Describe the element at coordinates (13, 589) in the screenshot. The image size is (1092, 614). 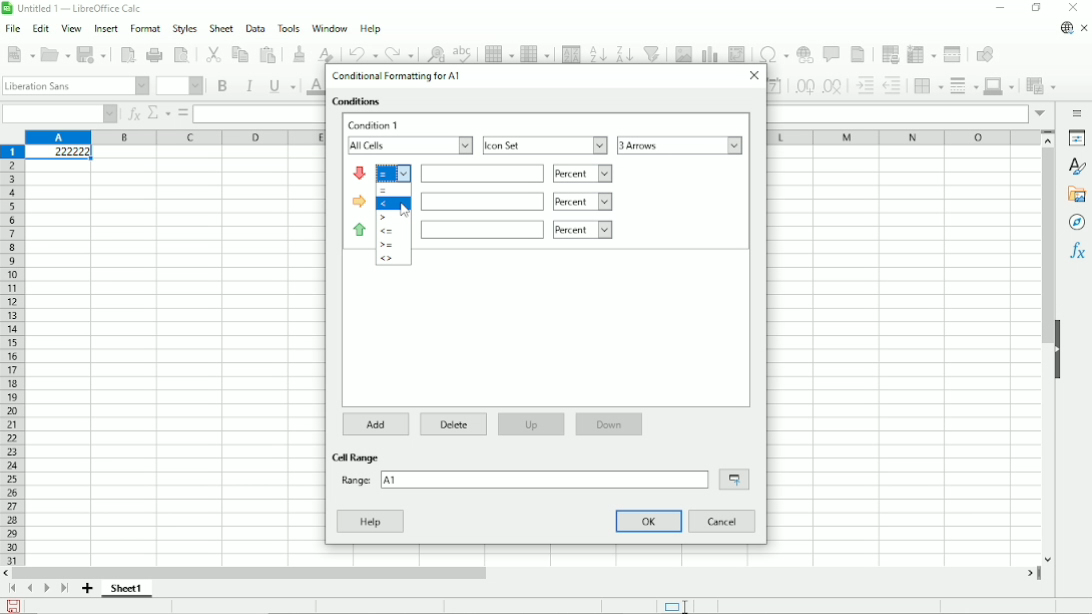
I see `Scroll to first page` at that location.